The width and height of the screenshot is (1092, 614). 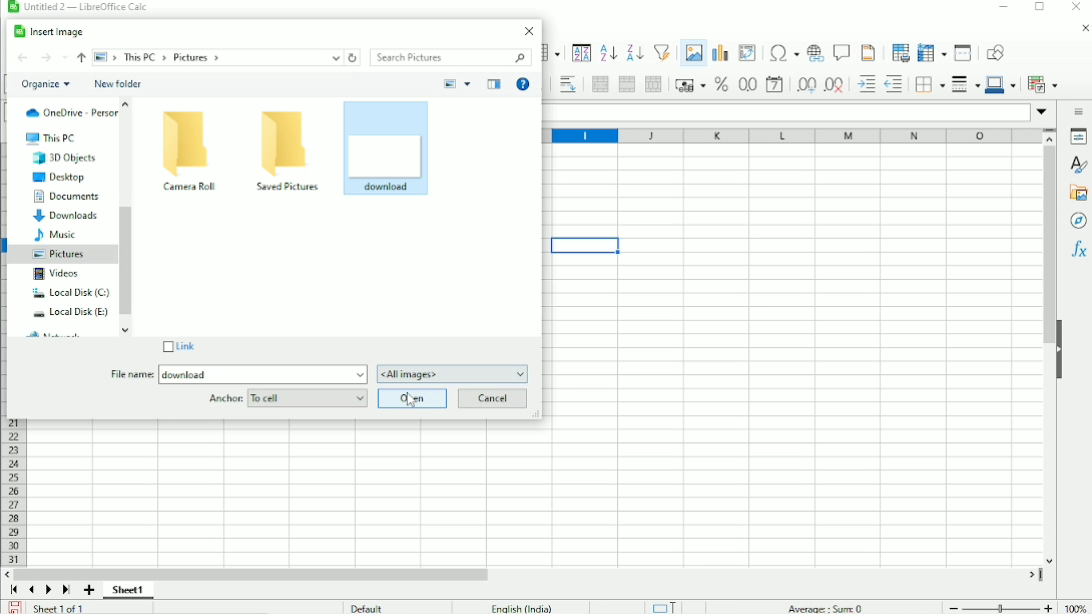 I want to click on Delete decimal place, so click(x=832, y=86).